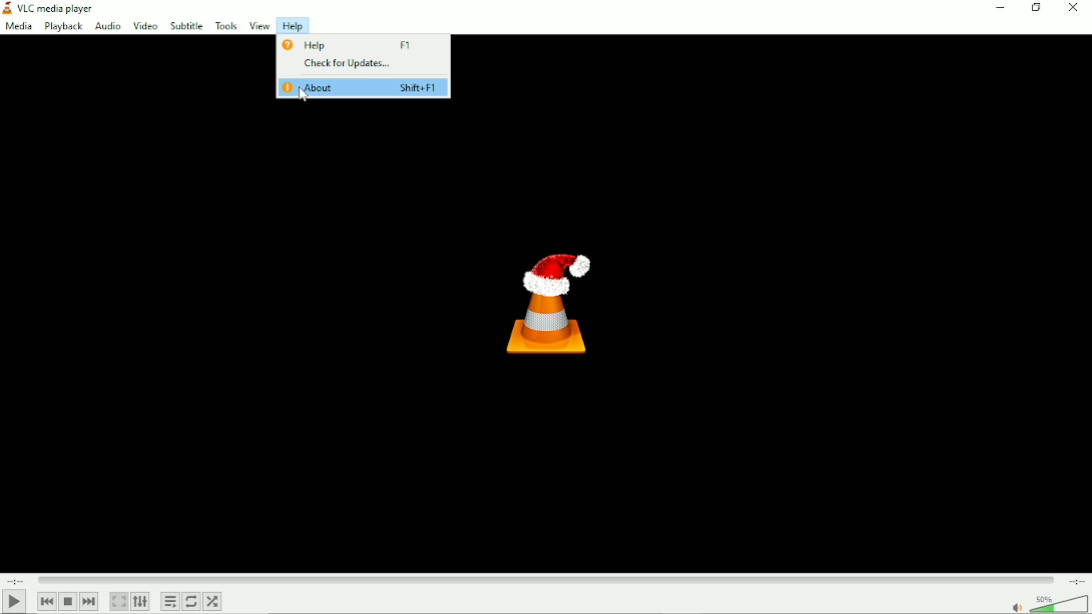 This screenshot has height=614, width=1092. Describe the element at coordinates (146, 26) in the screenshot. I see `Video` at that location.